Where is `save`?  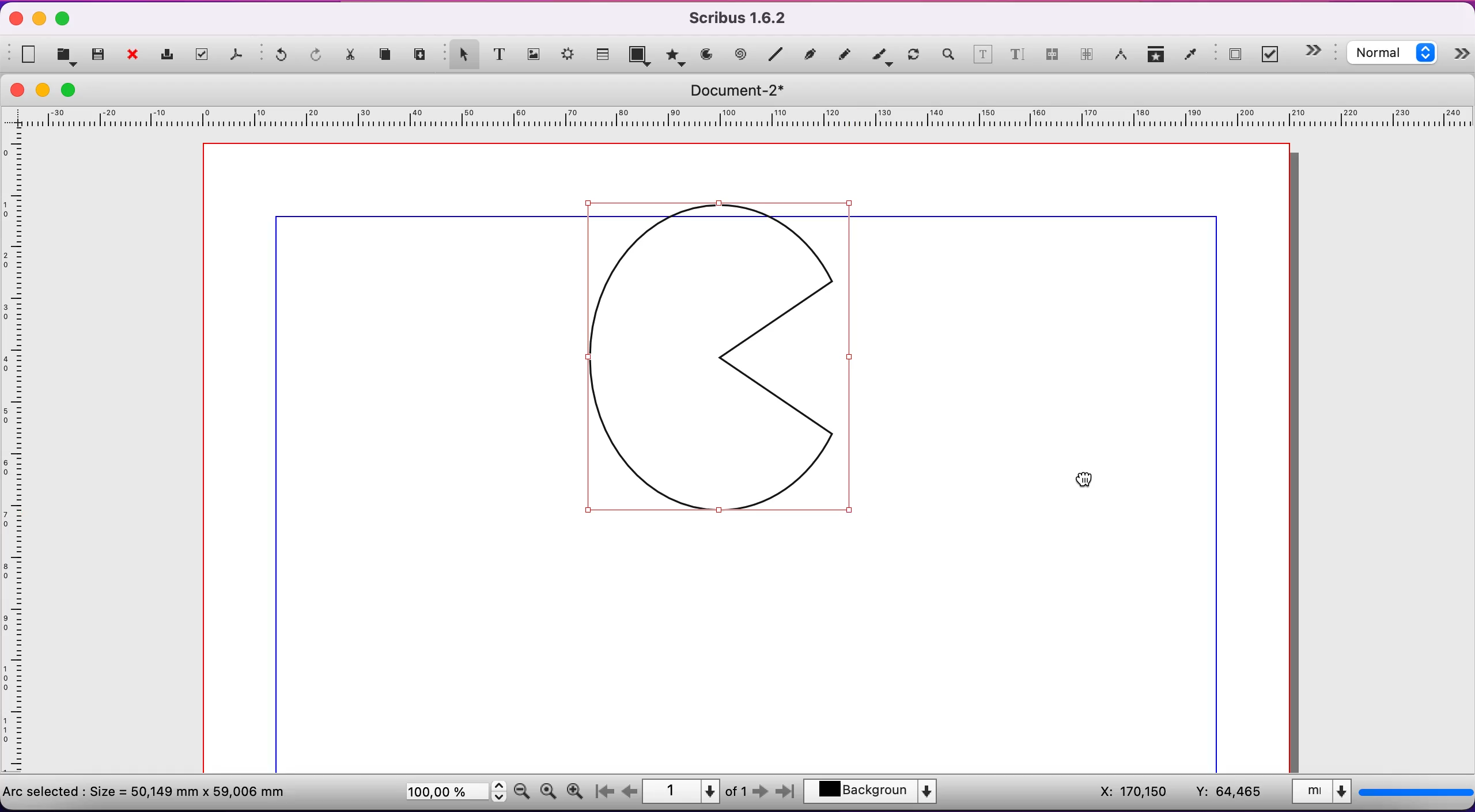
save is located at coordinates (99, 55).